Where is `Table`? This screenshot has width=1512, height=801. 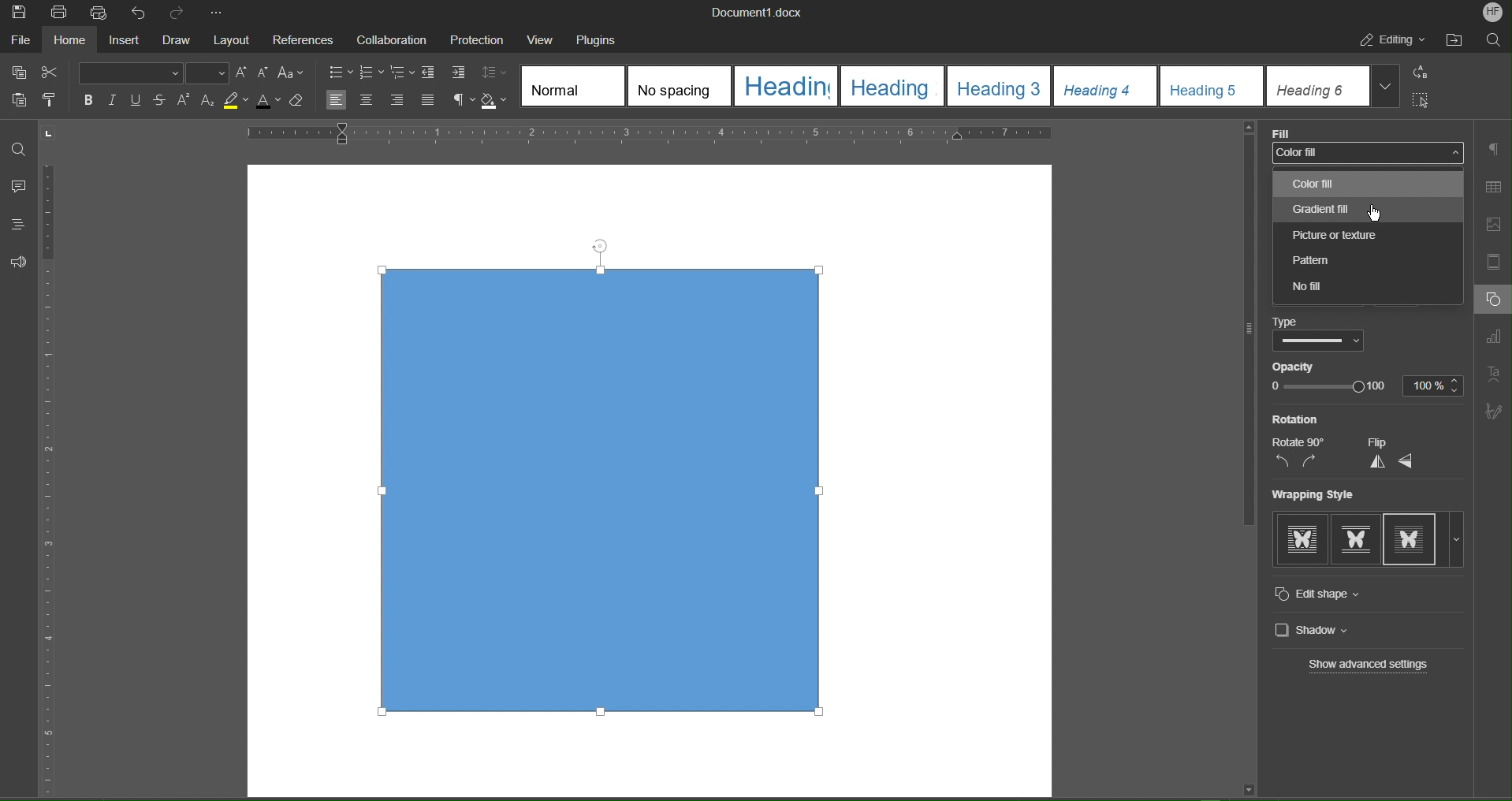 Table is located at coordinates (1497, 184).